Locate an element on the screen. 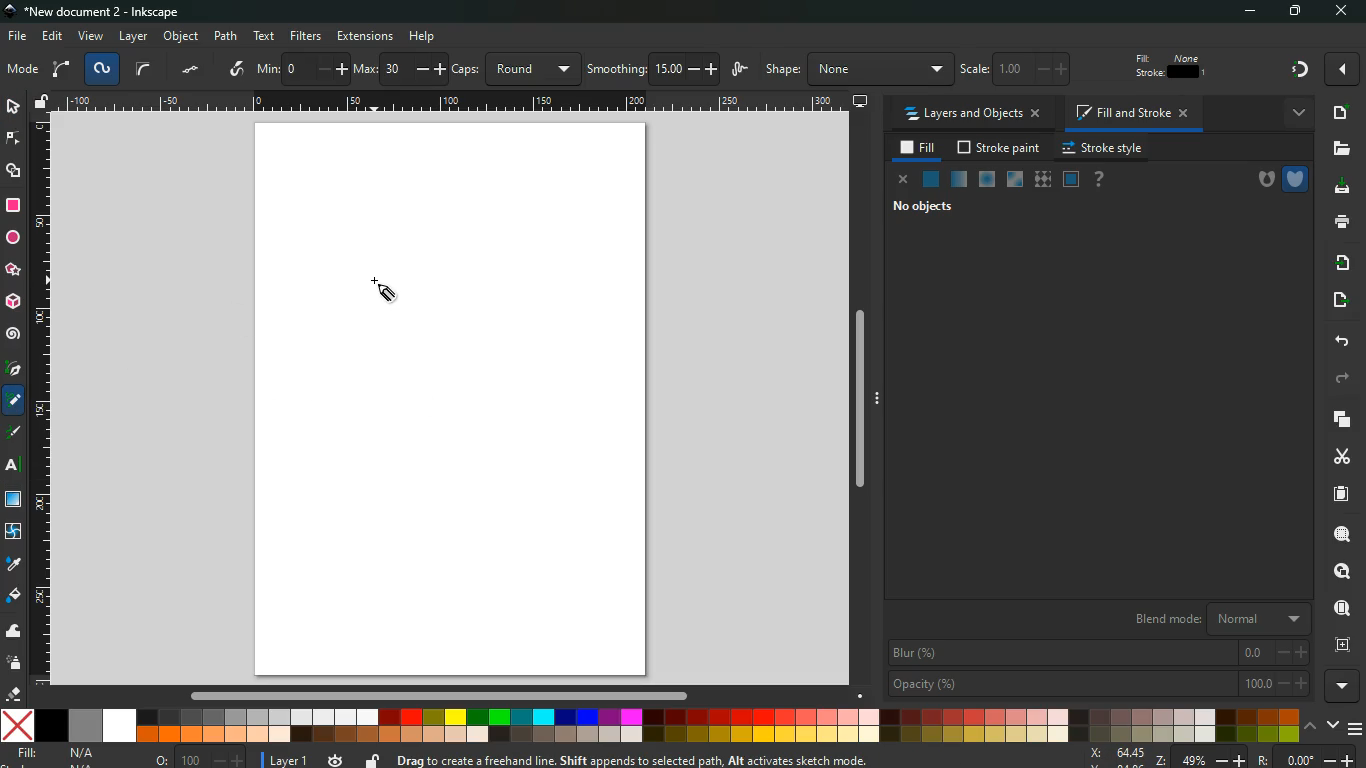 This screenshot has height=768, width=1366. path is located at coordinates (226, 35).